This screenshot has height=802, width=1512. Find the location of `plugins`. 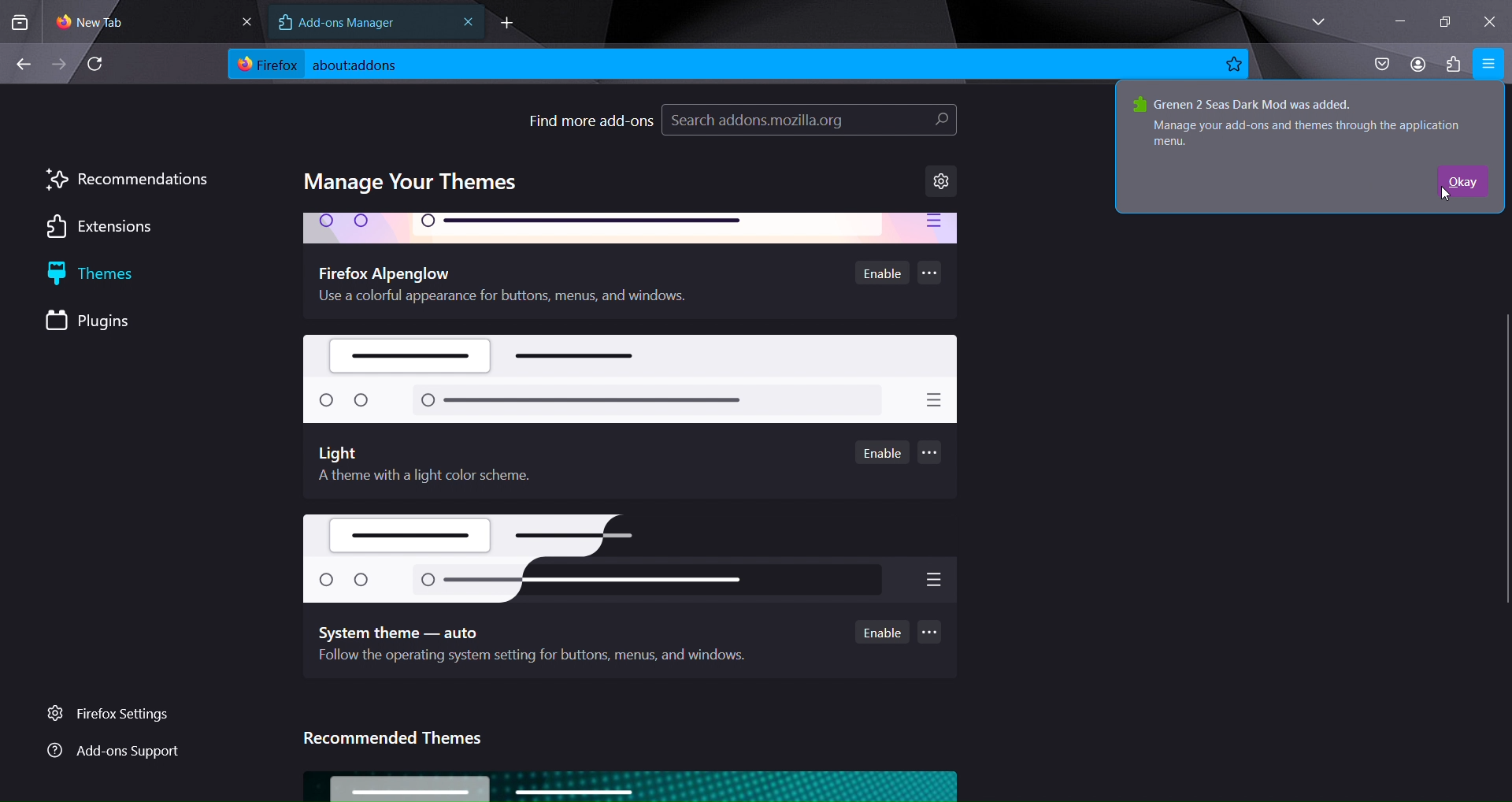

plugins is located at coordinates (105, 321).